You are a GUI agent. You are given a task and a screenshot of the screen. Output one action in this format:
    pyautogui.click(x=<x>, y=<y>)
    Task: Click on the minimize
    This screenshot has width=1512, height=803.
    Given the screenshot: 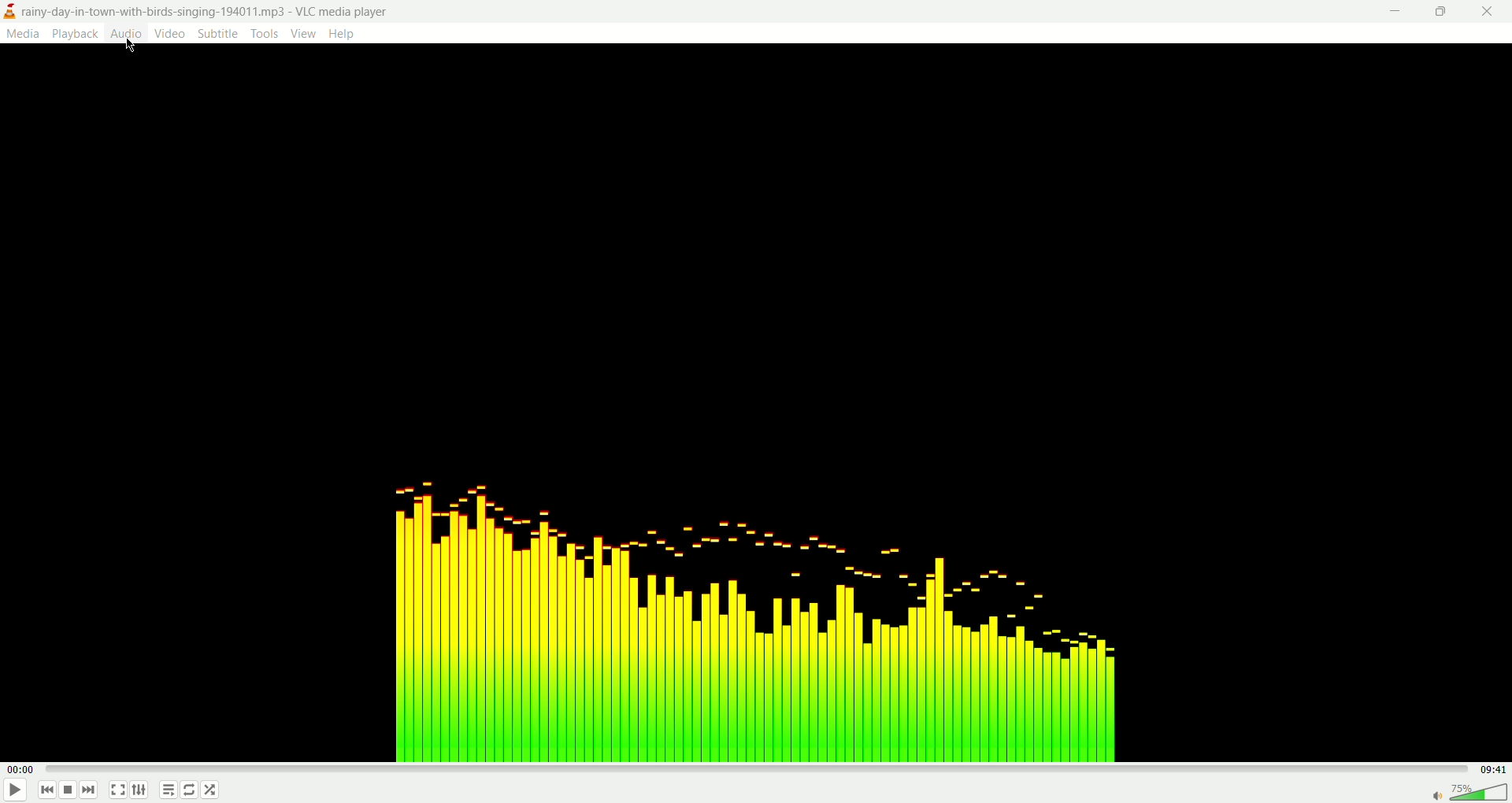 What is the action you would take?
    pyautogui.click(x=1393, y=13)
    